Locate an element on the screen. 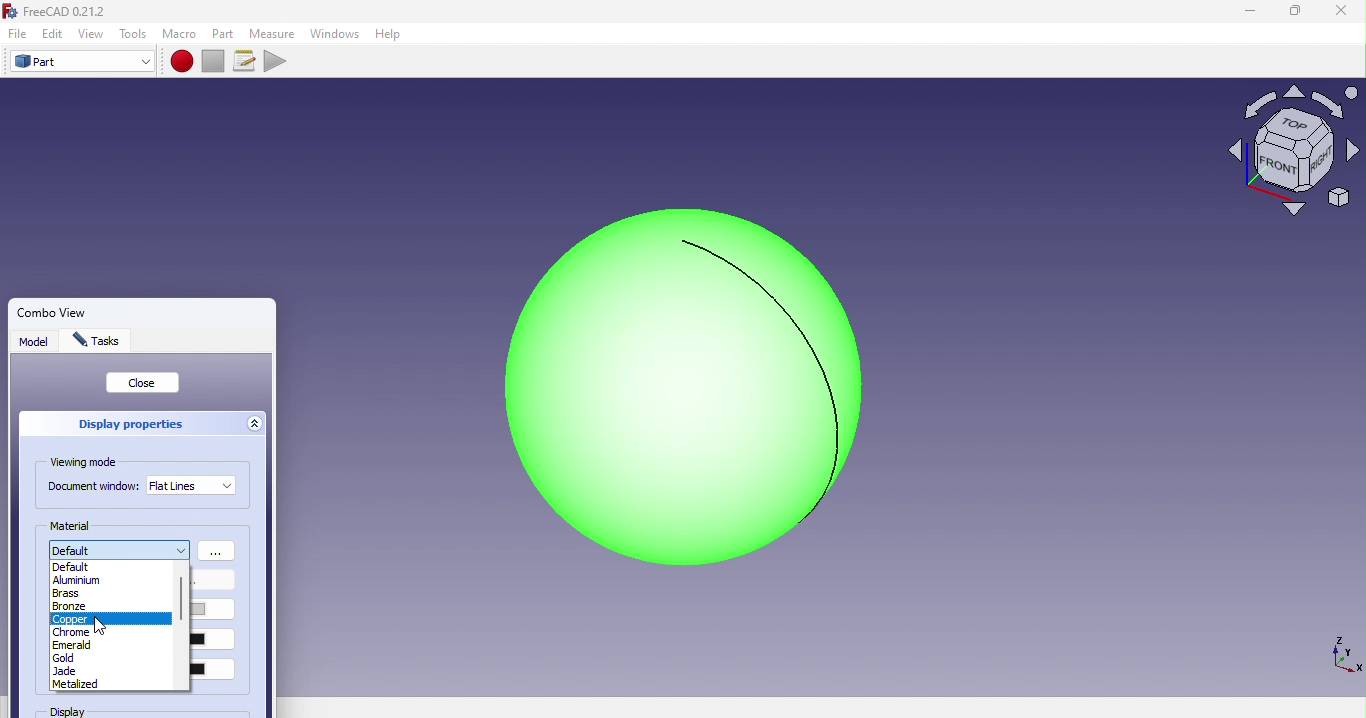  FreeCAD logo is located at coordinates (61, 12).